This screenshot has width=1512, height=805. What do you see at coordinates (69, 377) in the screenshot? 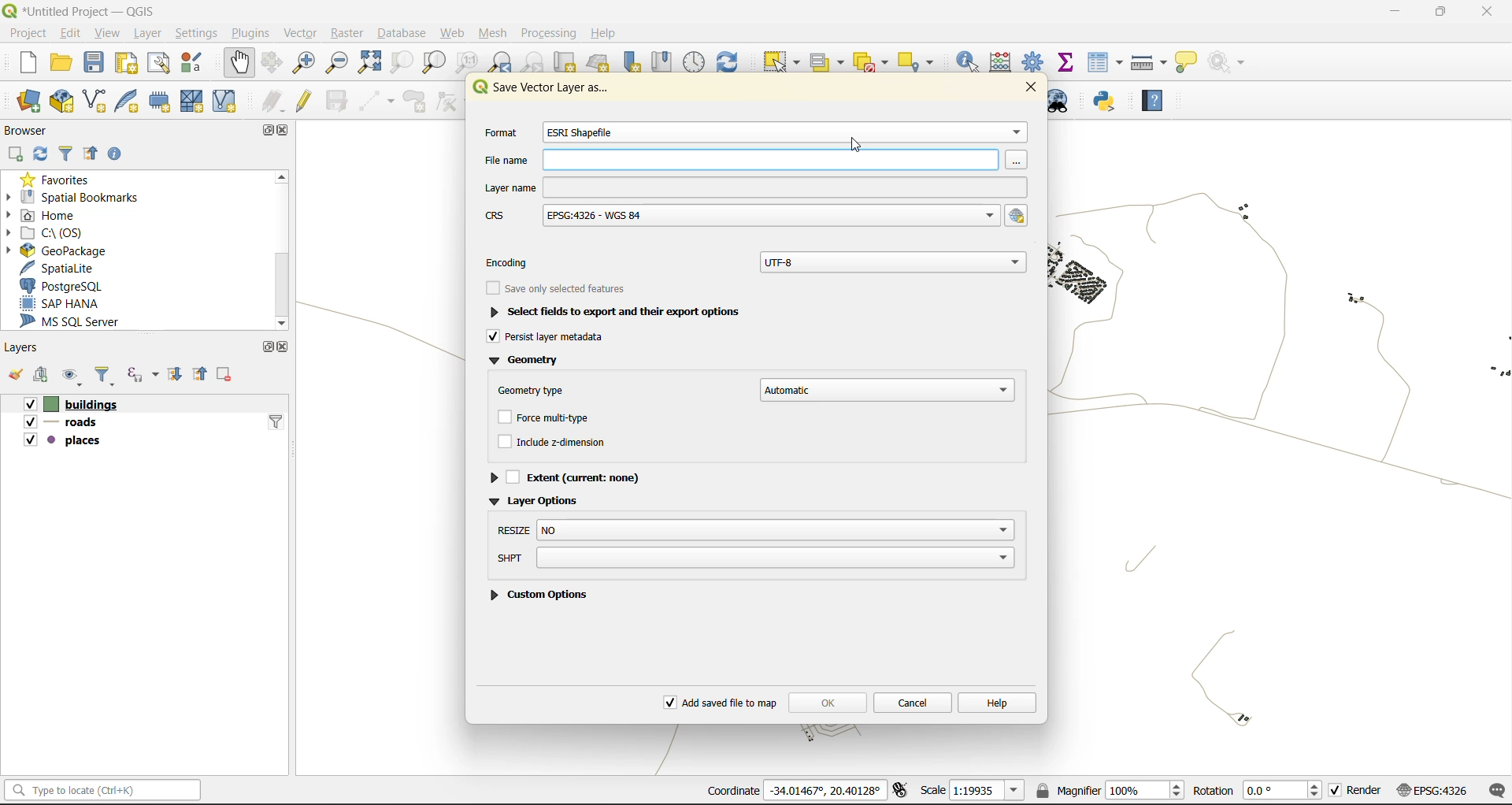
I see `manage map` at bounding box center [69, 377].